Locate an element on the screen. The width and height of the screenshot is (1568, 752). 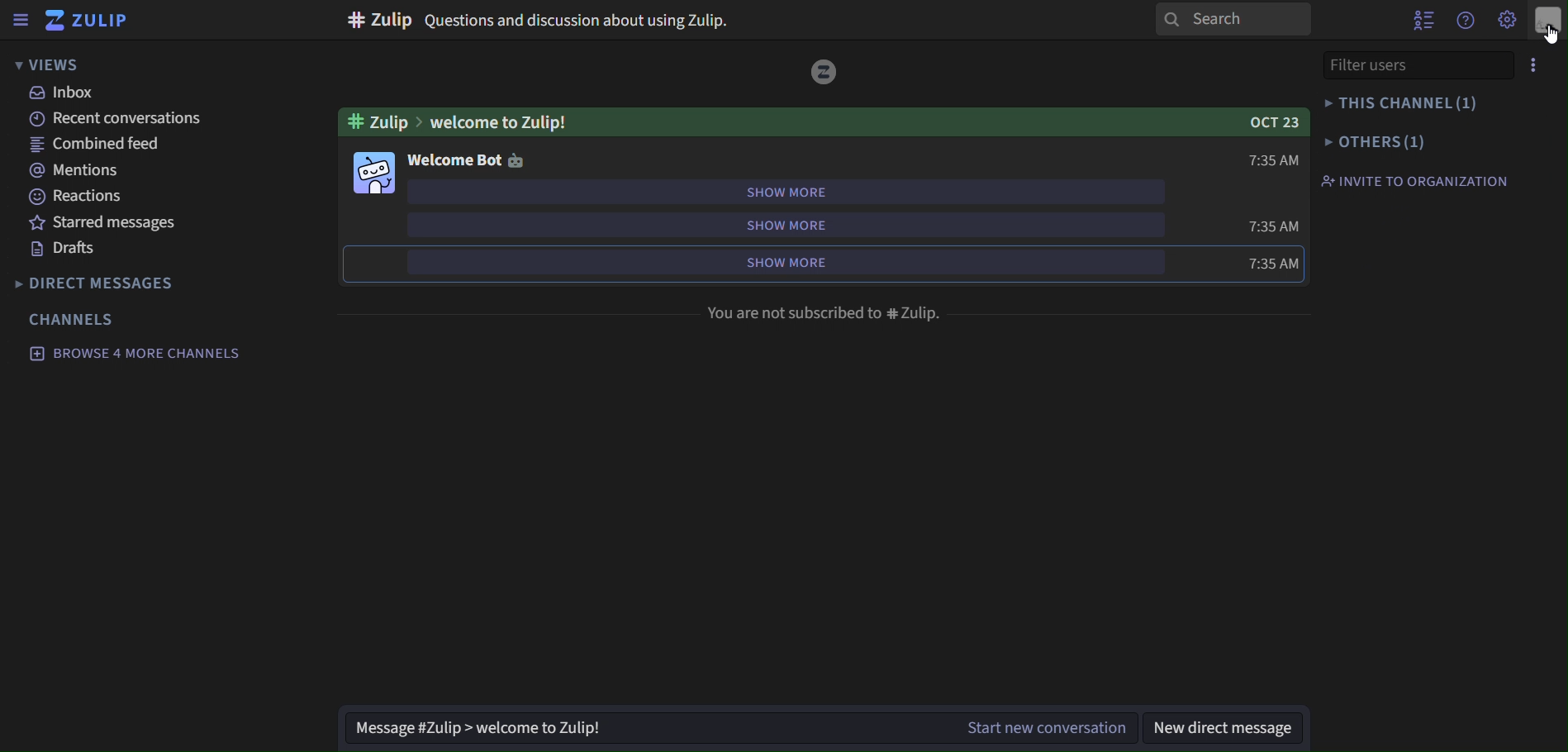
views is located at coordinates (48, 63).